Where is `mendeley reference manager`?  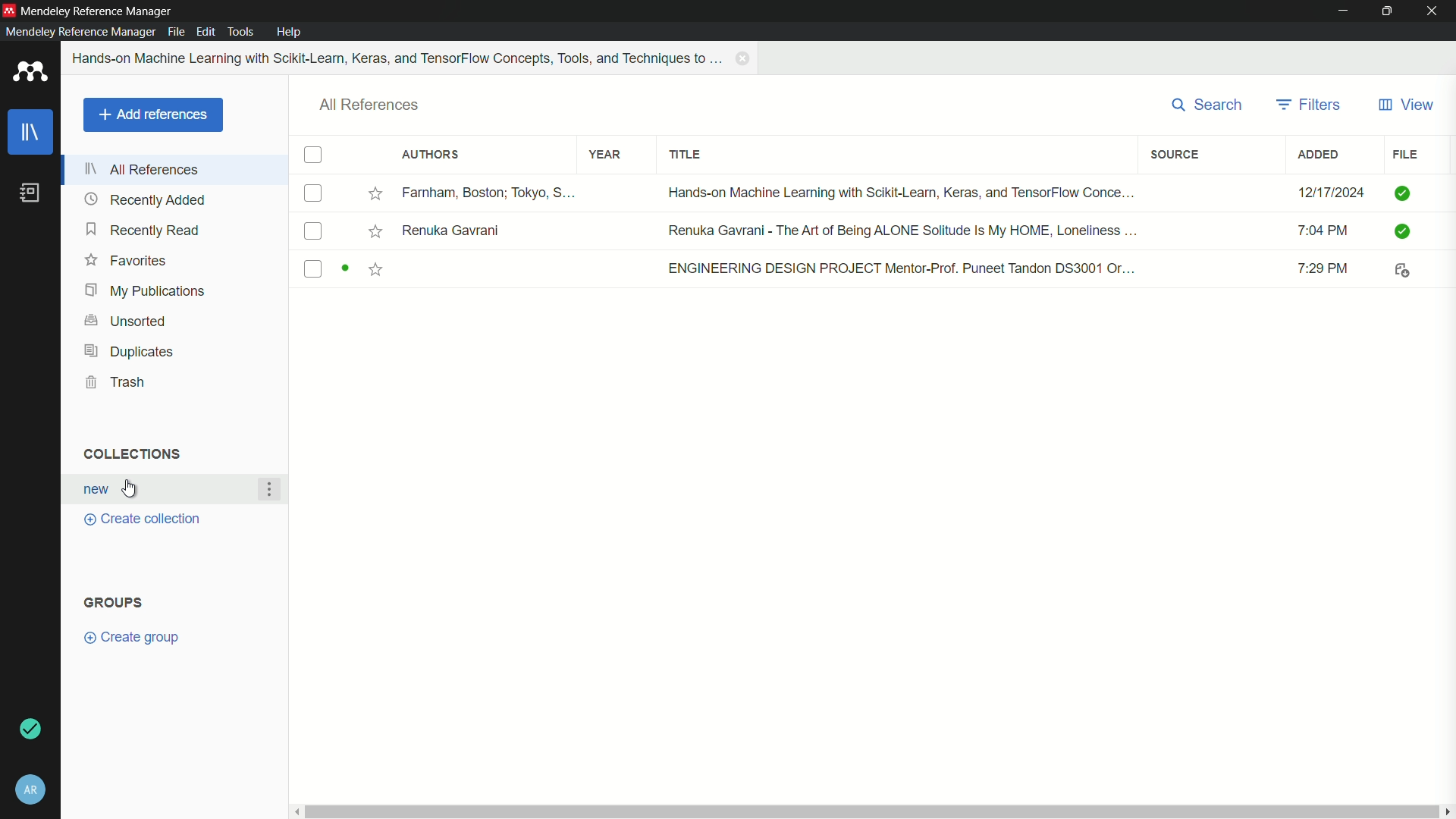
mendeley reference manager is located at coordinates (80, 31).